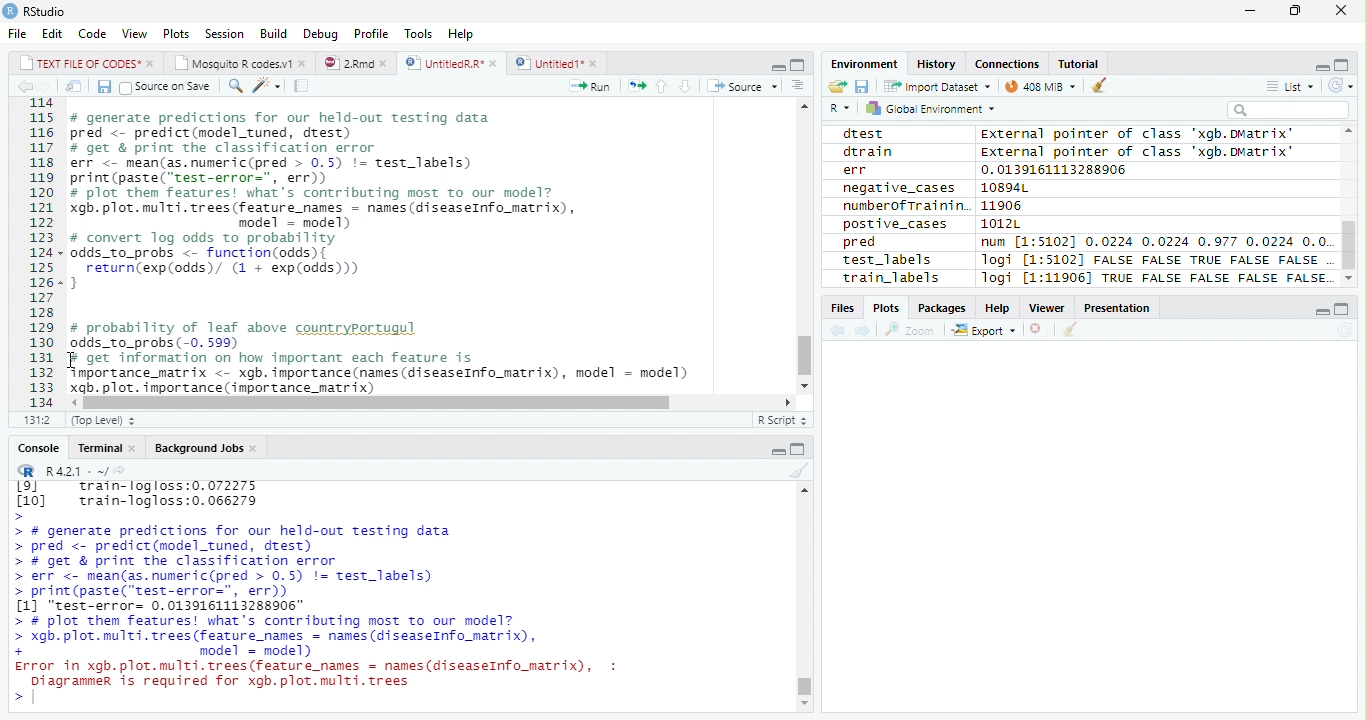  Describe the element at coordinates (356, 63) in the screenshot. I see `2.Rmd` at that location.